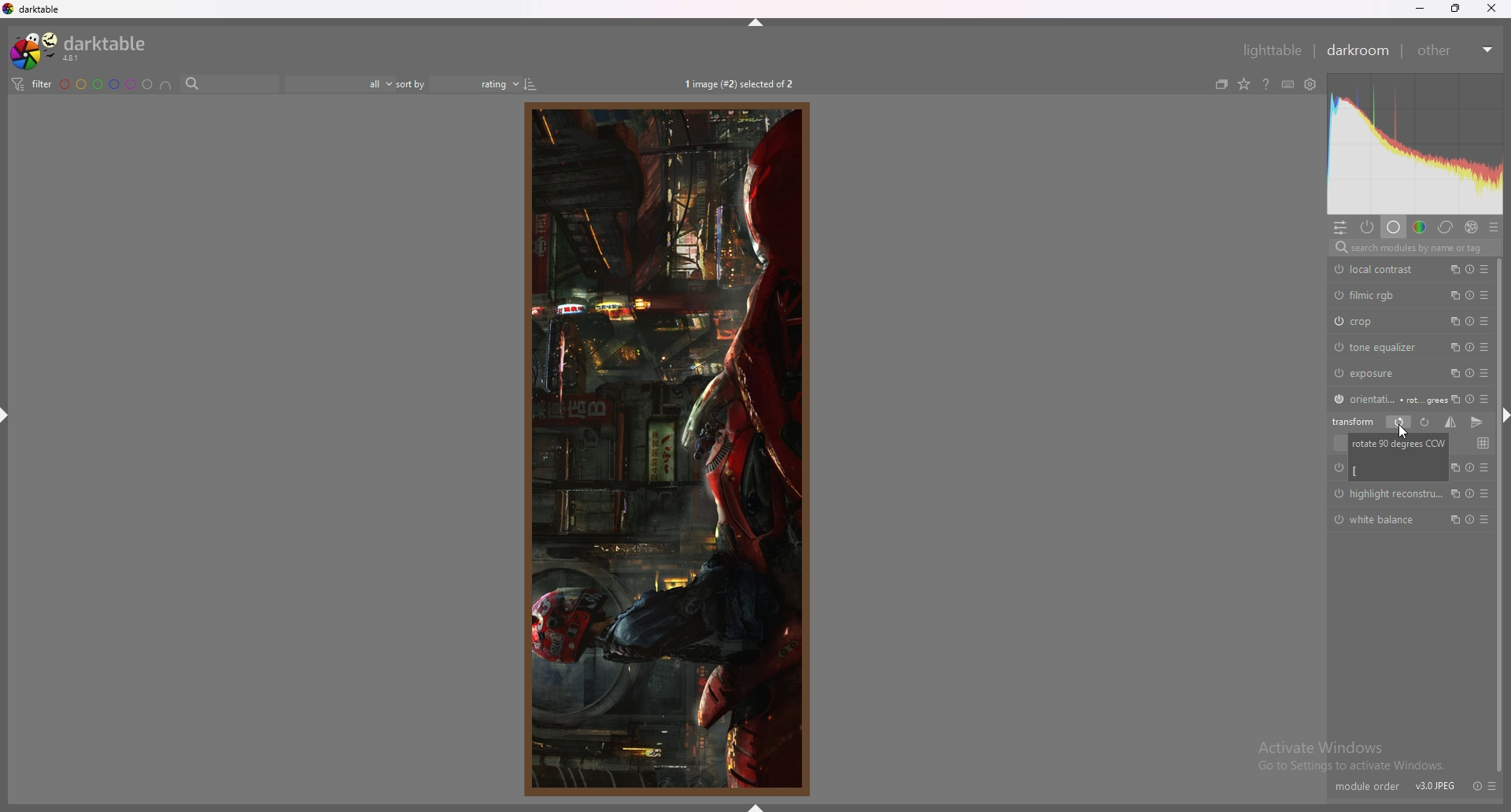 This screenshot has height=812, width=1511. What do you see at coordinates (1452, 373) in the screenshot?
I see `multiple instances action` at bounding box center [1452, 373].